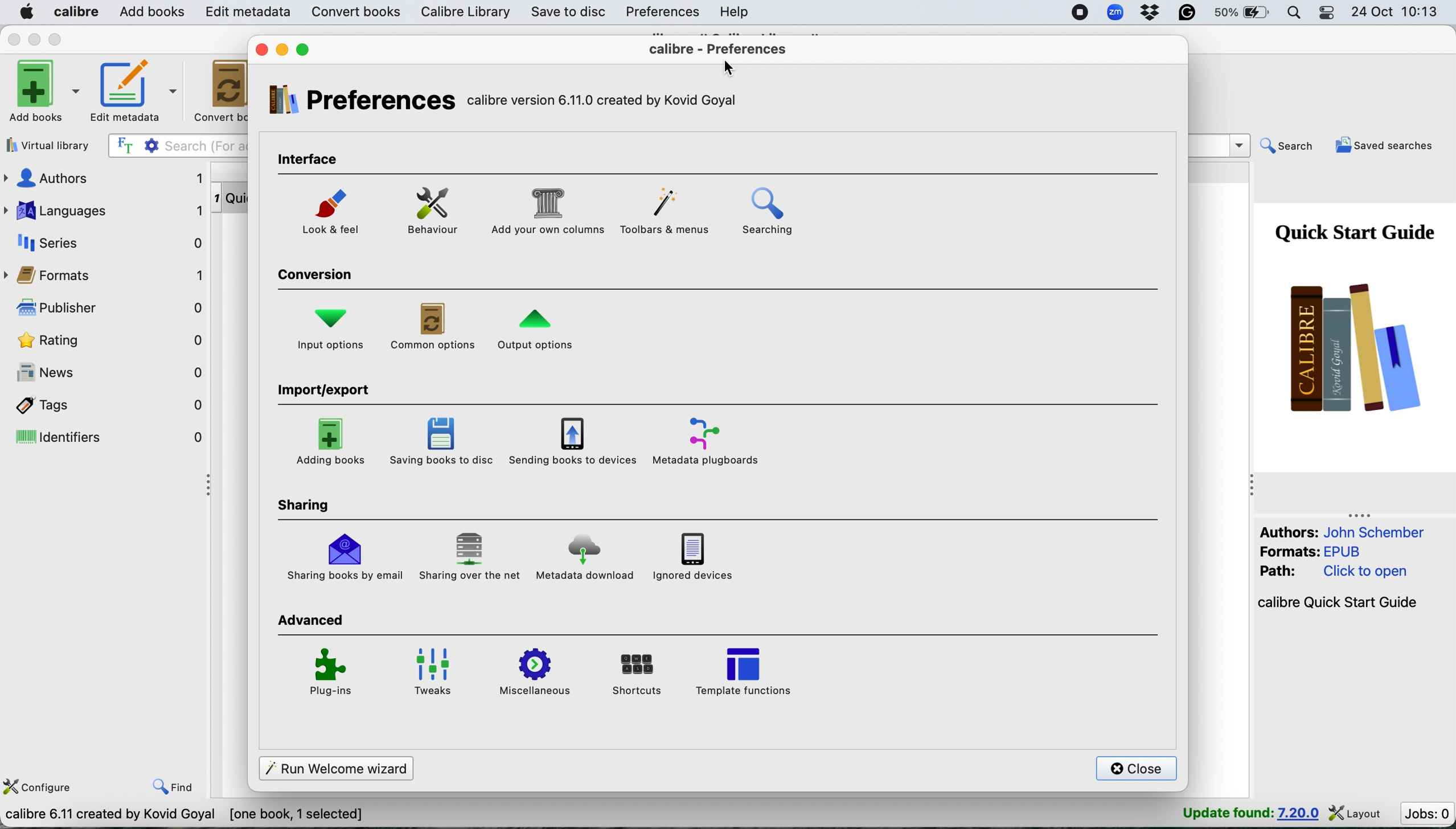  Describe the element at coordinates (332, 390) in the screenshot. I see `import/export` at that location.